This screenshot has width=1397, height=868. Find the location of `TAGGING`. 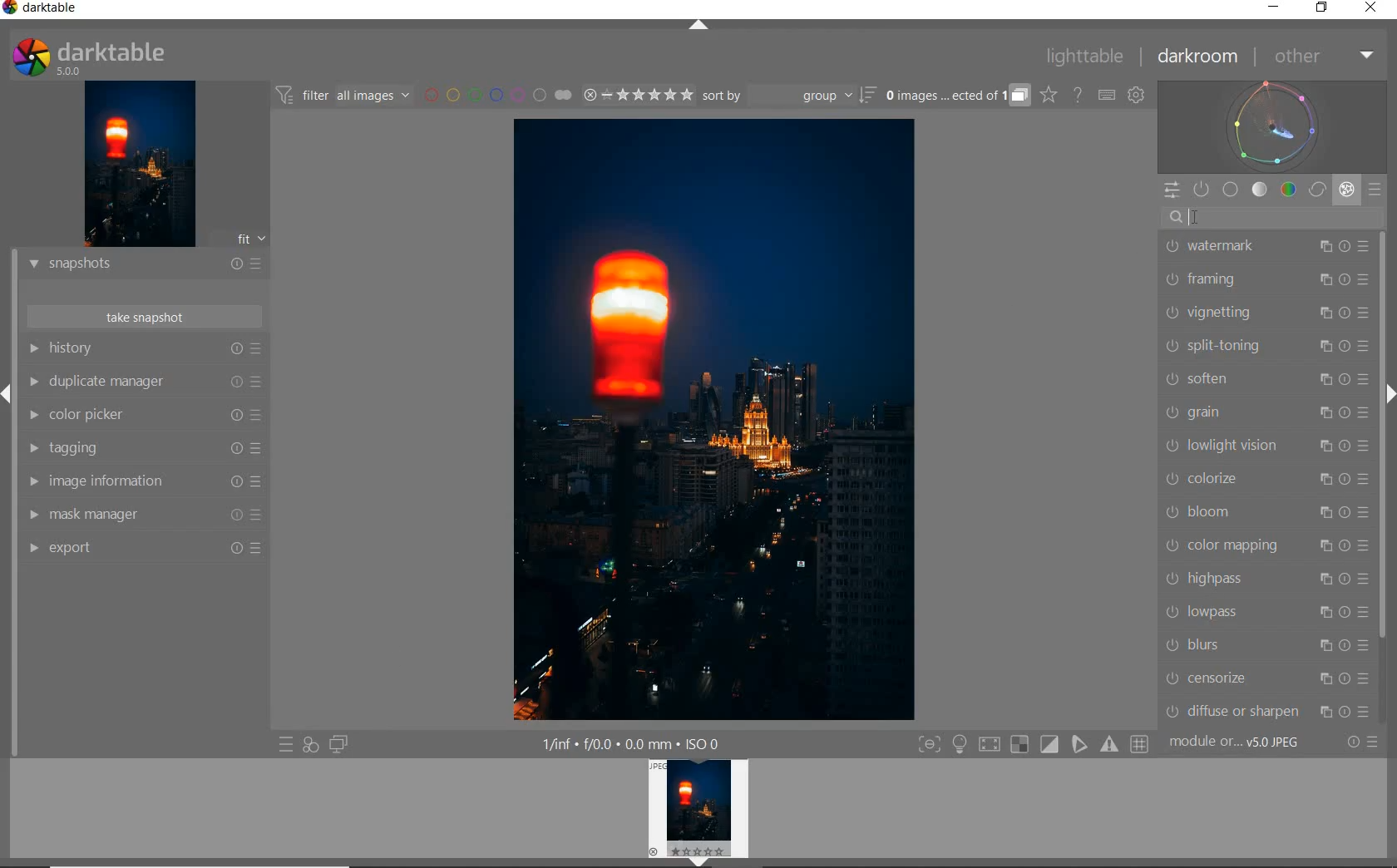

TAGGING is located at coordinates (115, 449).